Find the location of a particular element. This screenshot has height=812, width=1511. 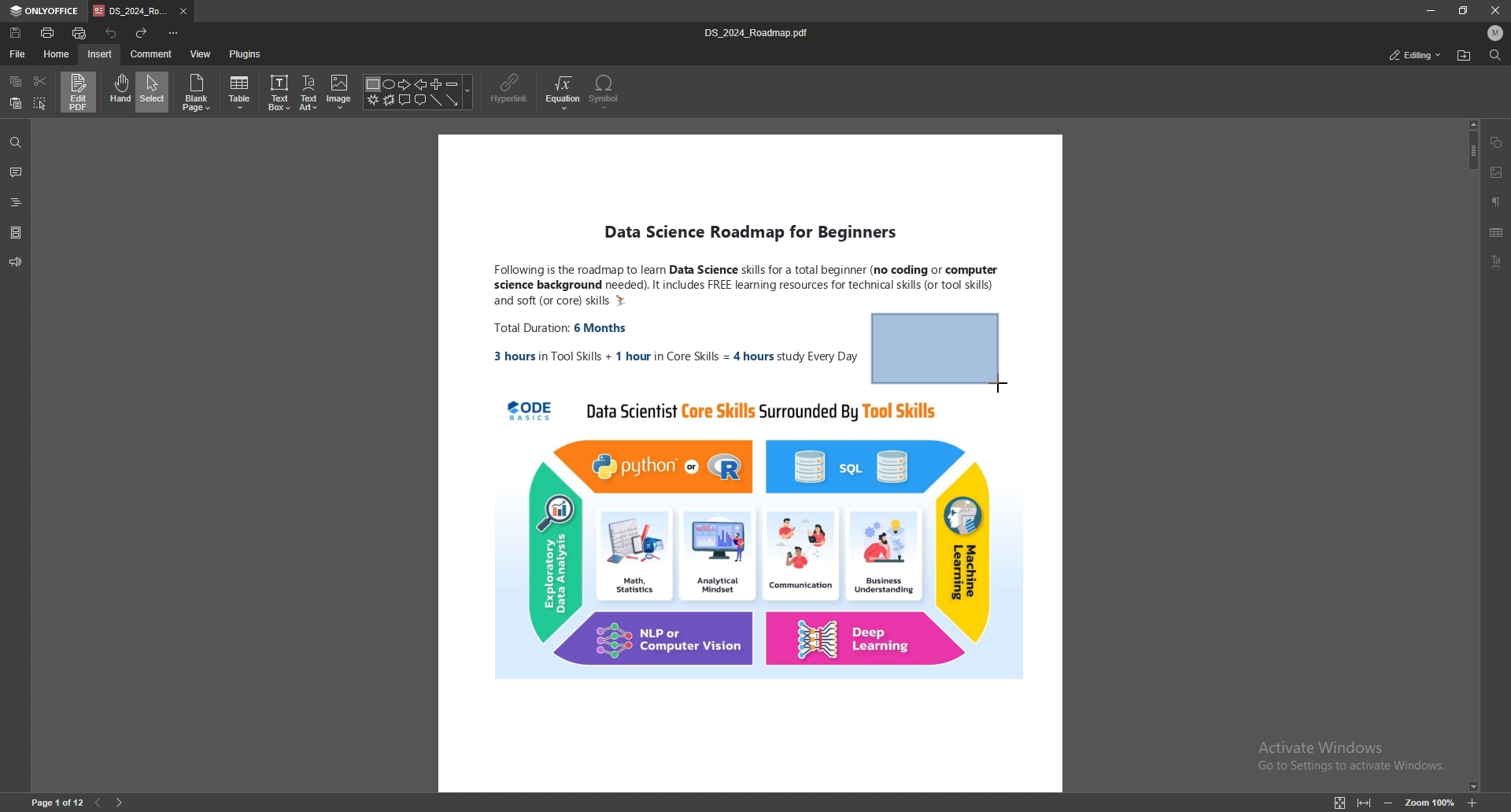

image is located at coordinates (1496, 171).